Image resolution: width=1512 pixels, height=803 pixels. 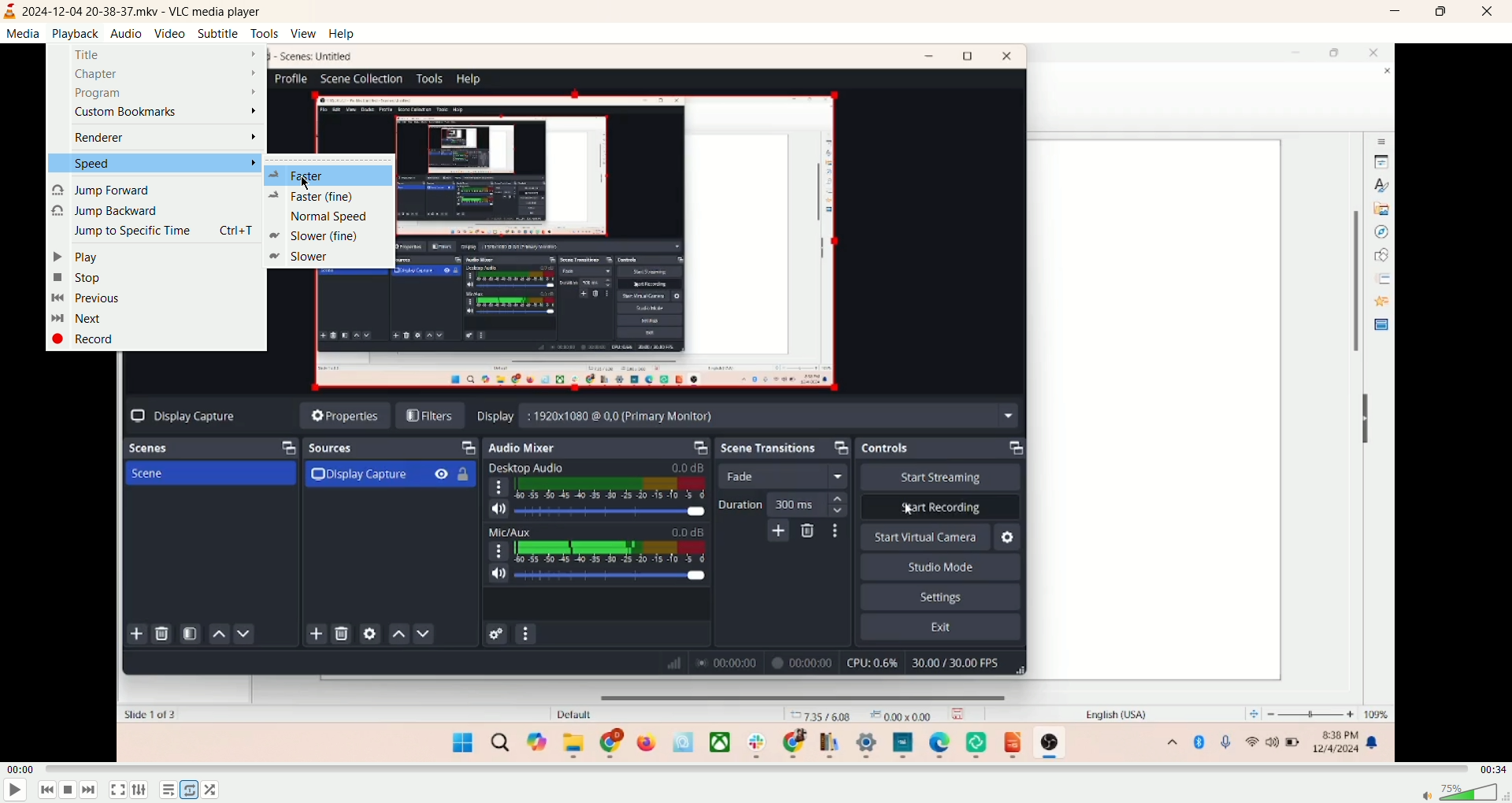 I want to click on played time, so click(x=20, y=769).